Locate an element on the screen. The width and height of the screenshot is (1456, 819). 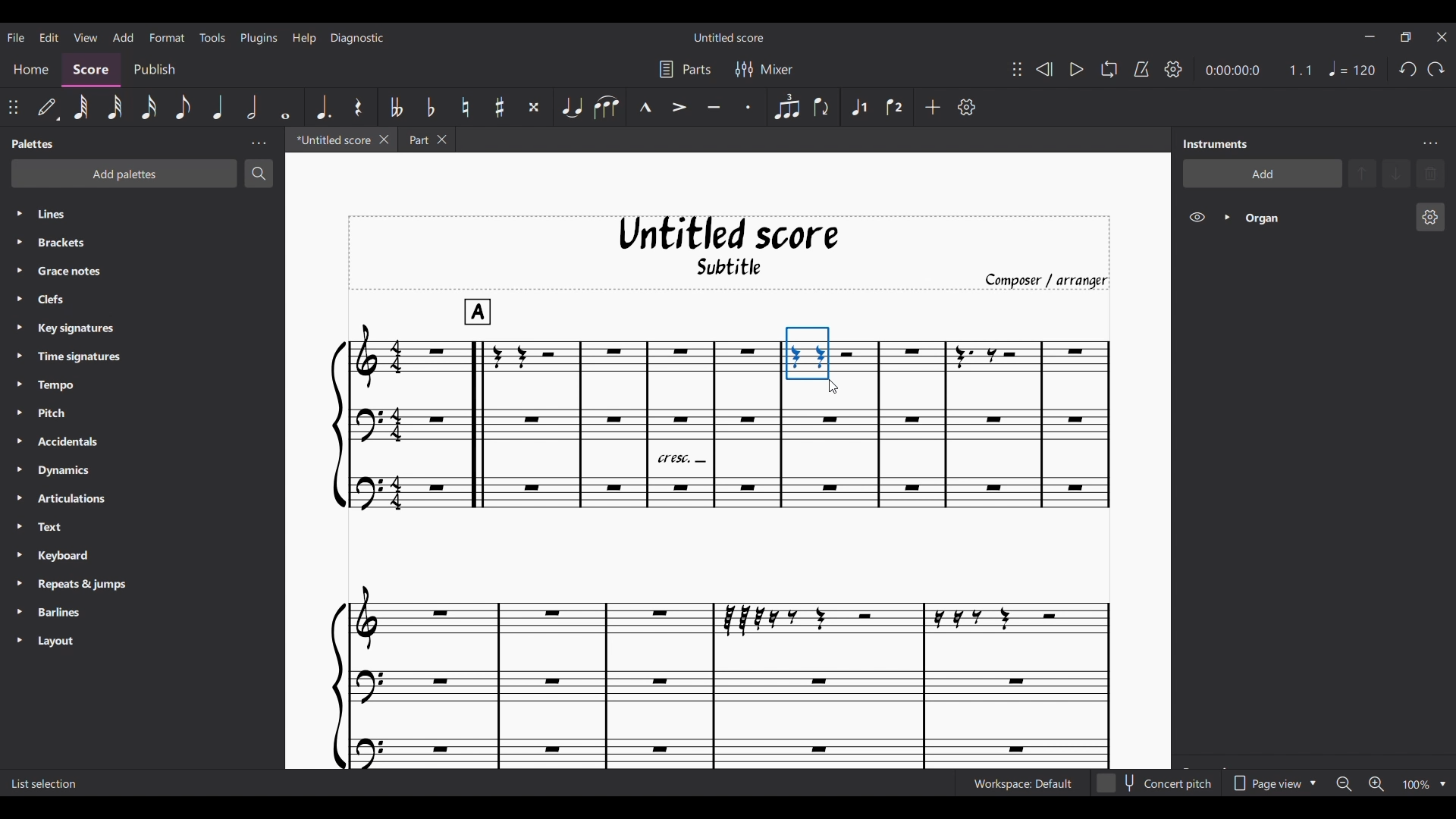
Delete selection is located at coordinates (1431, 174).